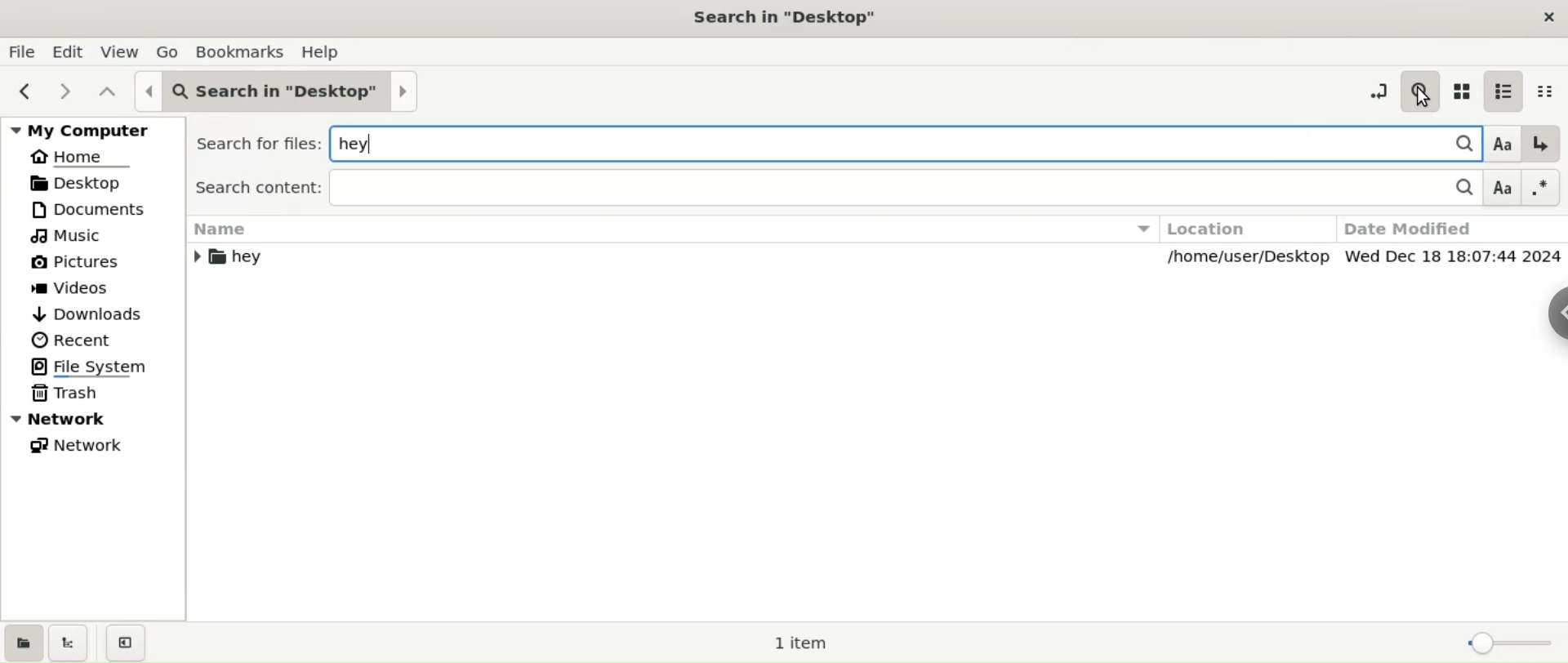  I want to click on user, so click(183, 91).